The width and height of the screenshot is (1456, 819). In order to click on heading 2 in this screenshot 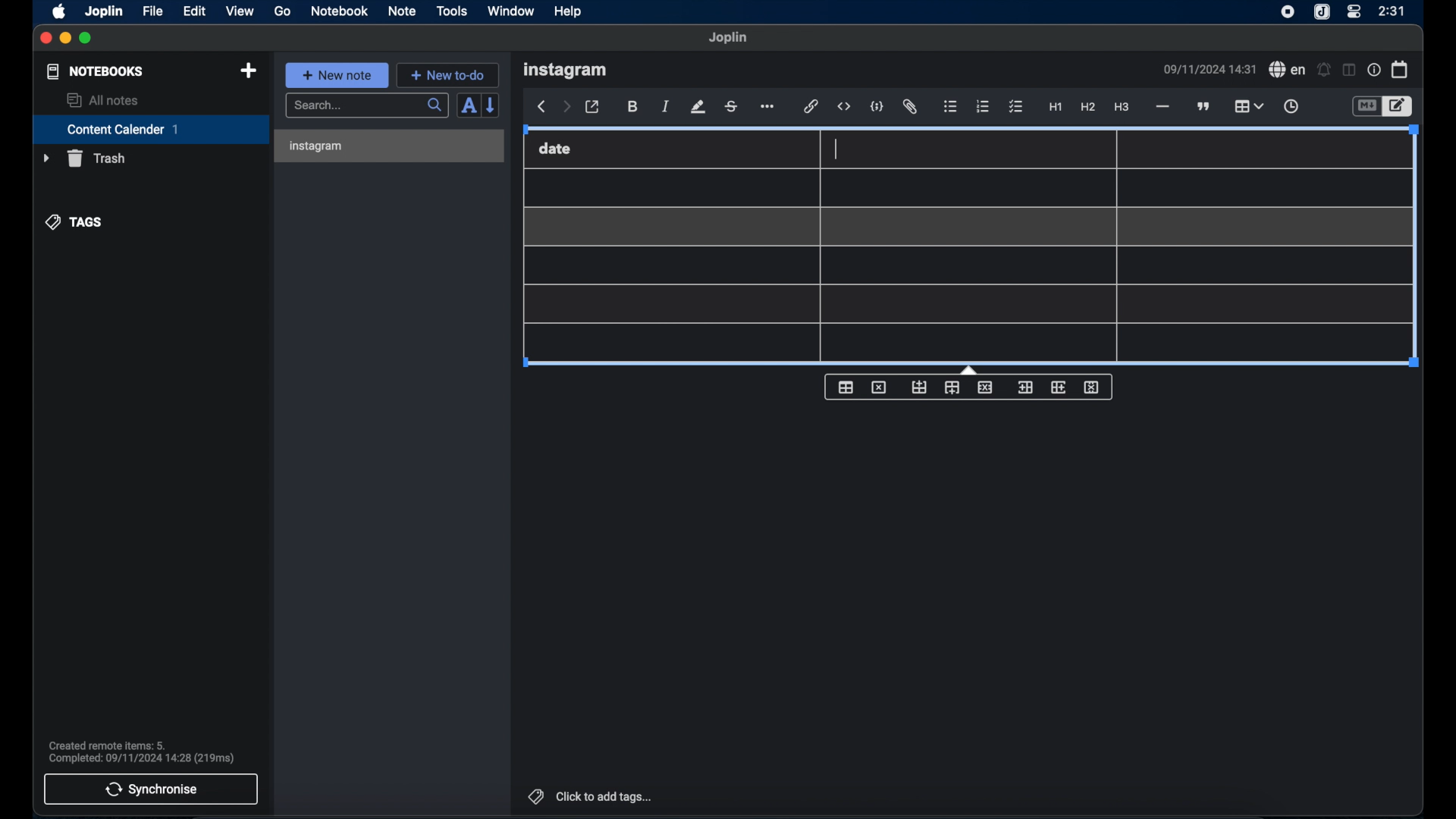, I will do `click(1088, 107)`.